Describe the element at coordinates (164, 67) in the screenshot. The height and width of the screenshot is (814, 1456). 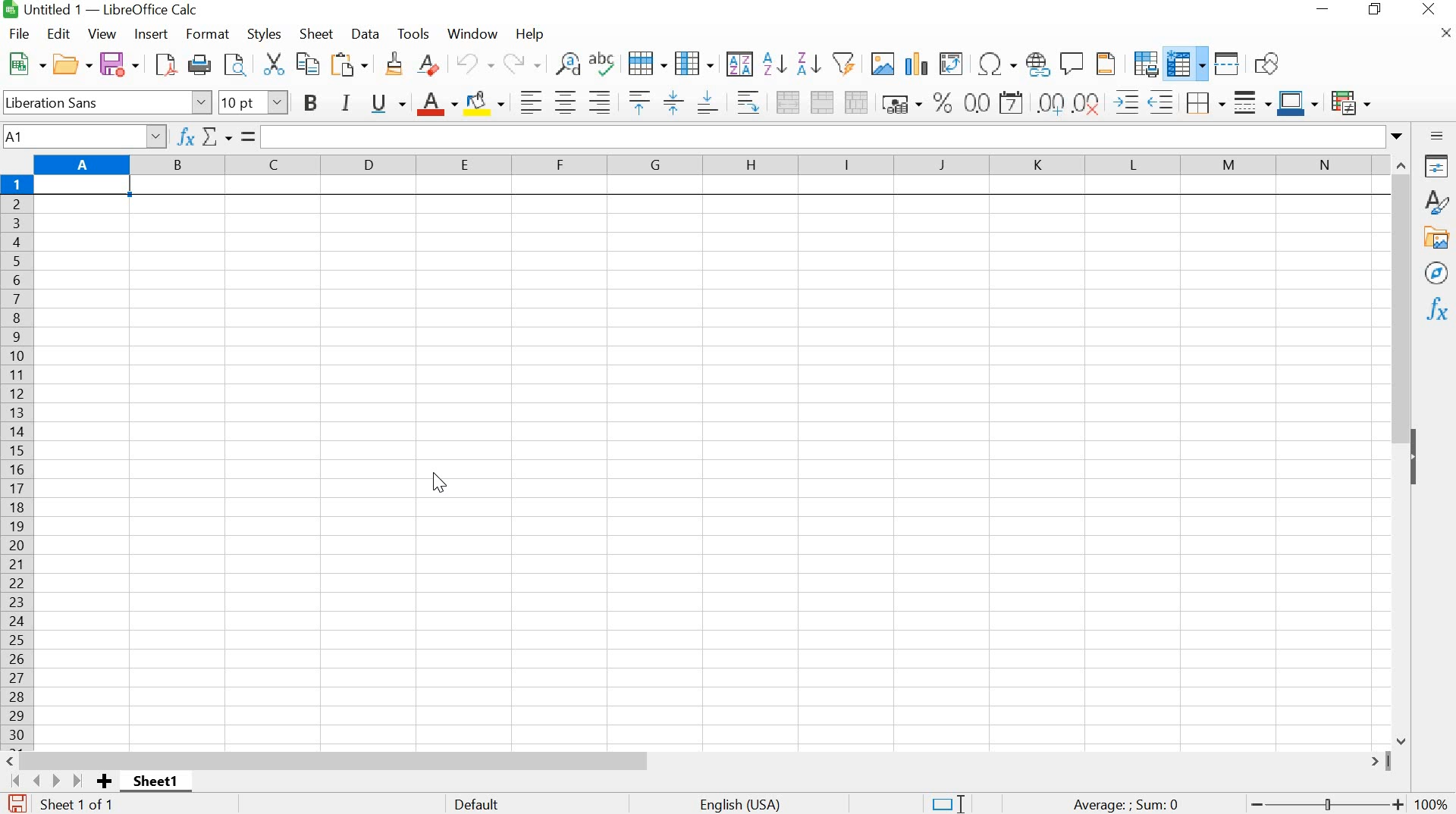
I see `SAVE AS PDF` at that location.